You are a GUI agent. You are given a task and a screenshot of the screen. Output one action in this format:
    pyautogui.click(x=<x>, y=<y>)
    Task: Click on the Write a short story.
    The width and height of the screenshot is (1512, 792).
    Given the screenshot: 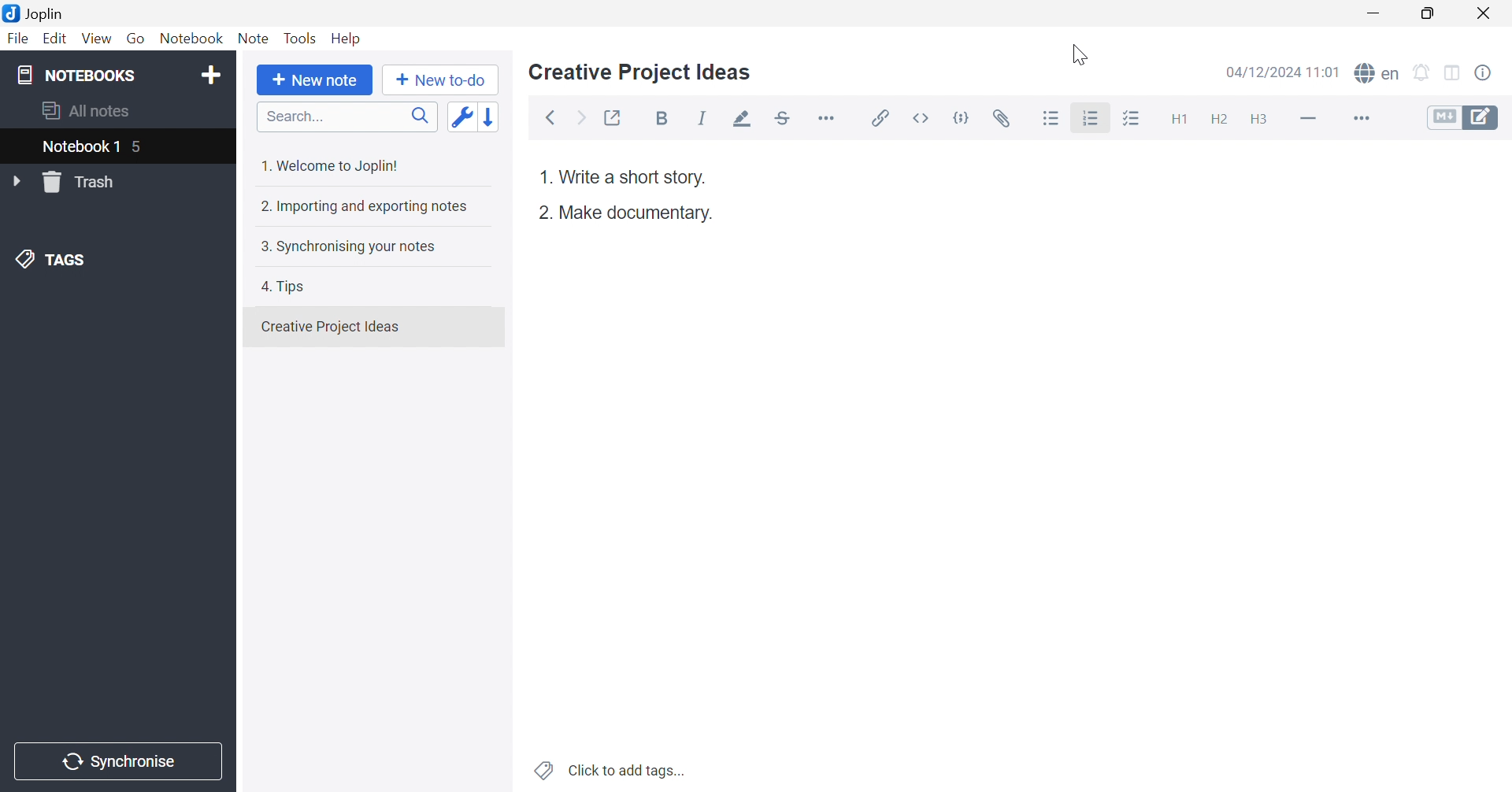 What is the action you would take?
    pyautogui.click(x=632, y=177)
    